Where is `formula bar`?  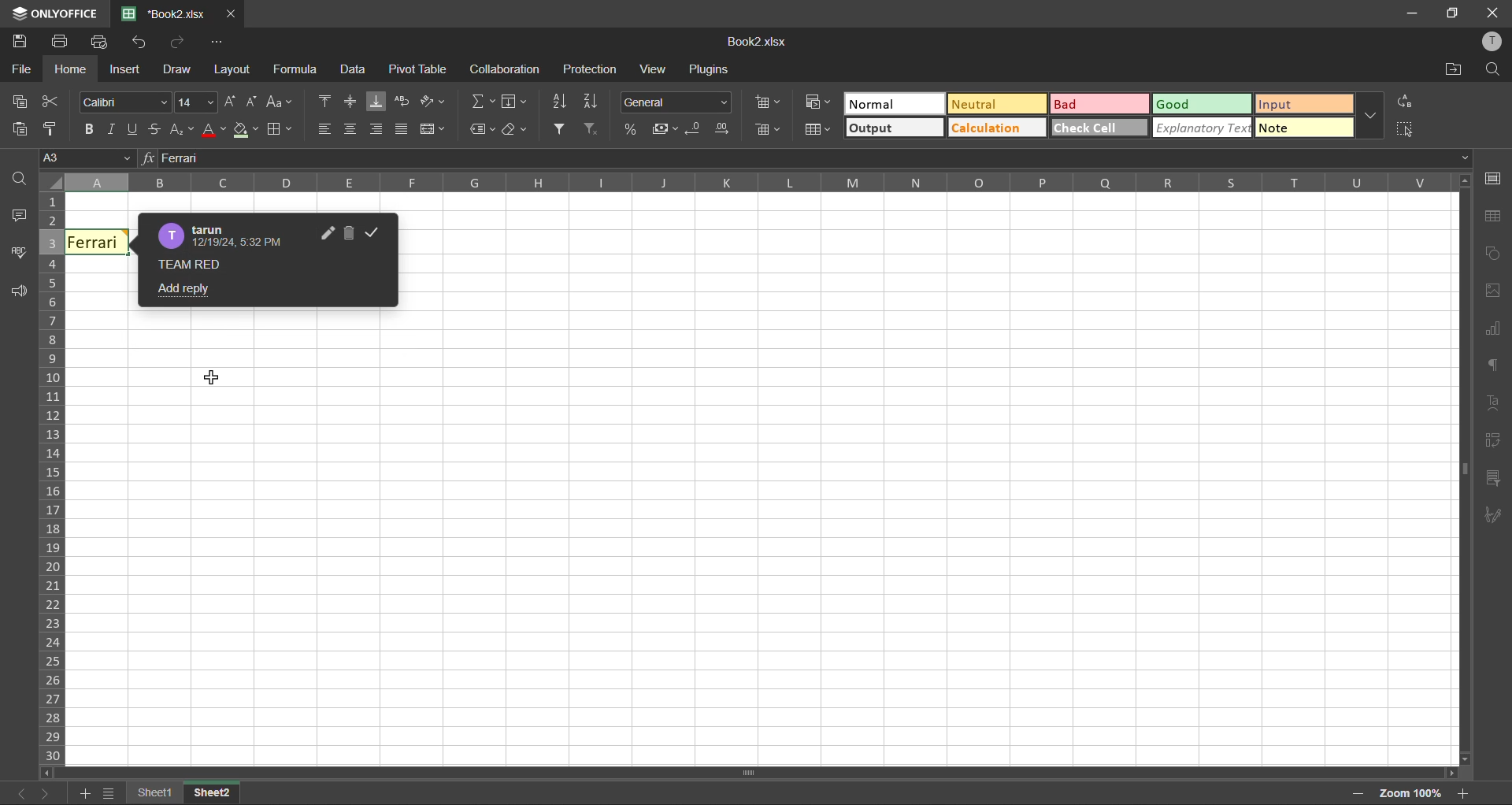 formula bar is located at coordinates (815, 157).